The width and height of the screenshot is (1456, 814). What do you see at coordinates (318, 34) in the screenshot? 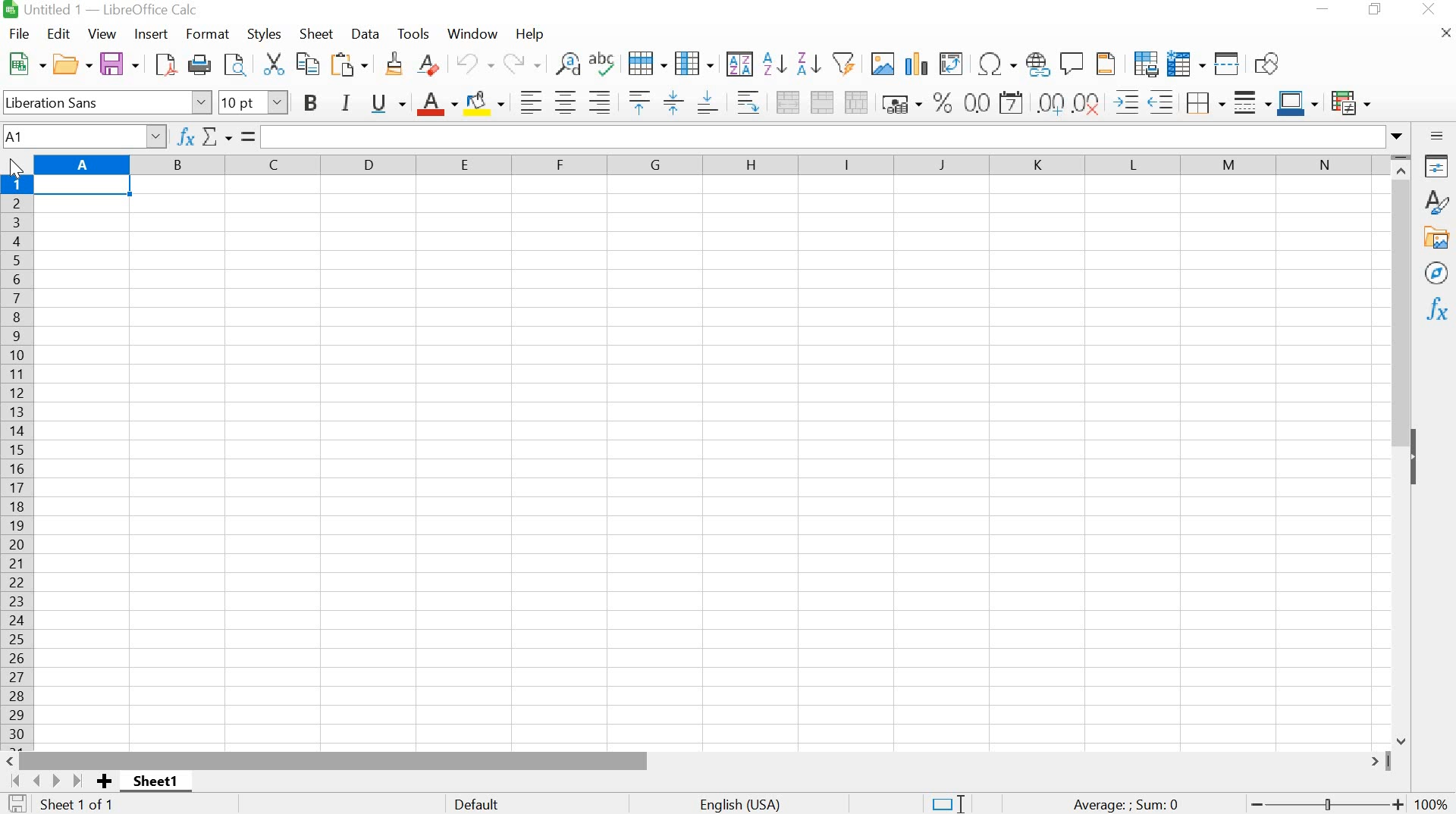
I see `SHEET` at bounding box center [318, 34].